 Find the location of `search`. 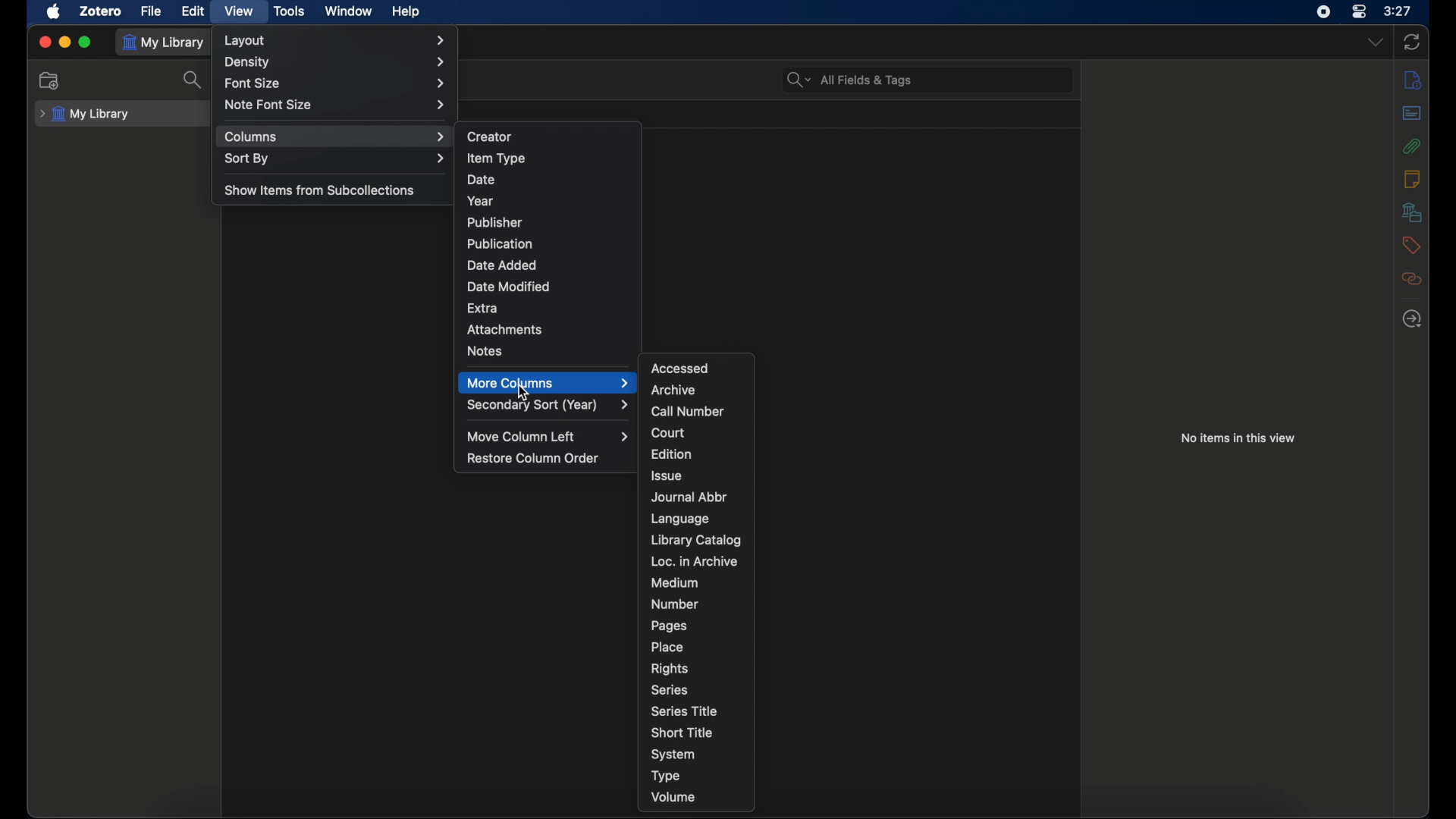

search is located at coordinates (194, 79).